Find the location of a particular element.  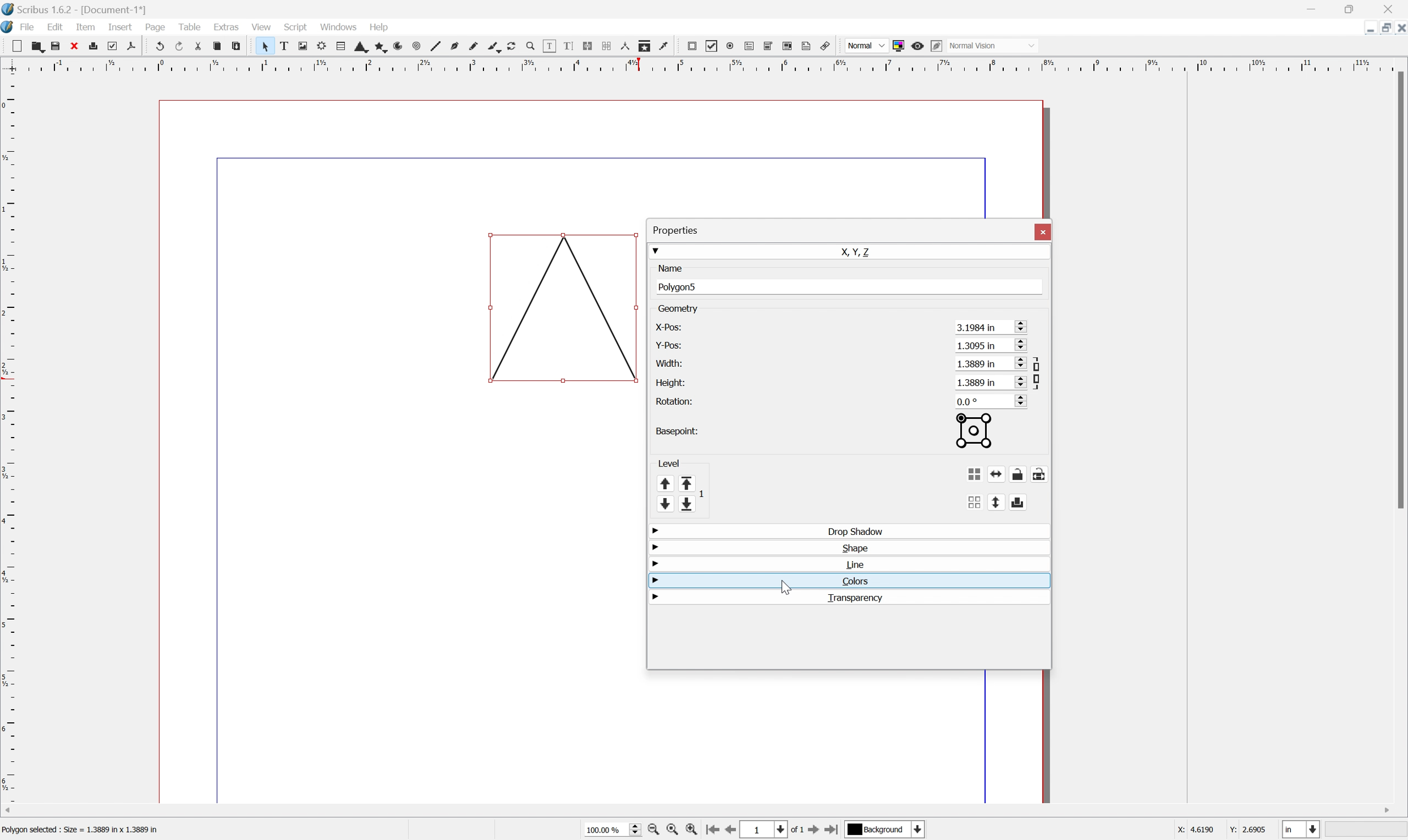

Lock or unlock the object is located at coordinates (1020, 474).